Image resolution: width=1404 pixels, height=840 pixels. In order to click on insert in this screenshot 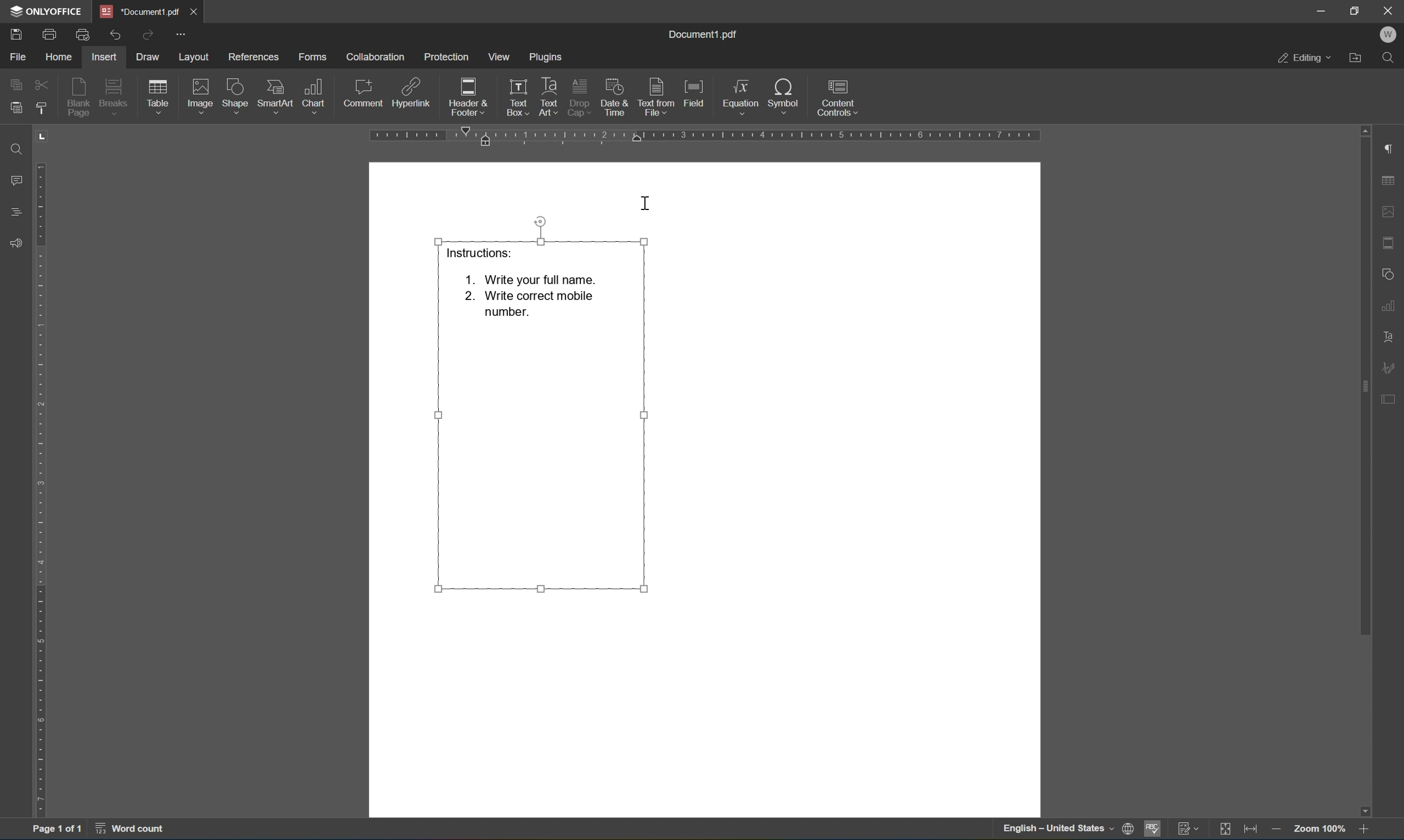, I will do `click(103, 57)`.